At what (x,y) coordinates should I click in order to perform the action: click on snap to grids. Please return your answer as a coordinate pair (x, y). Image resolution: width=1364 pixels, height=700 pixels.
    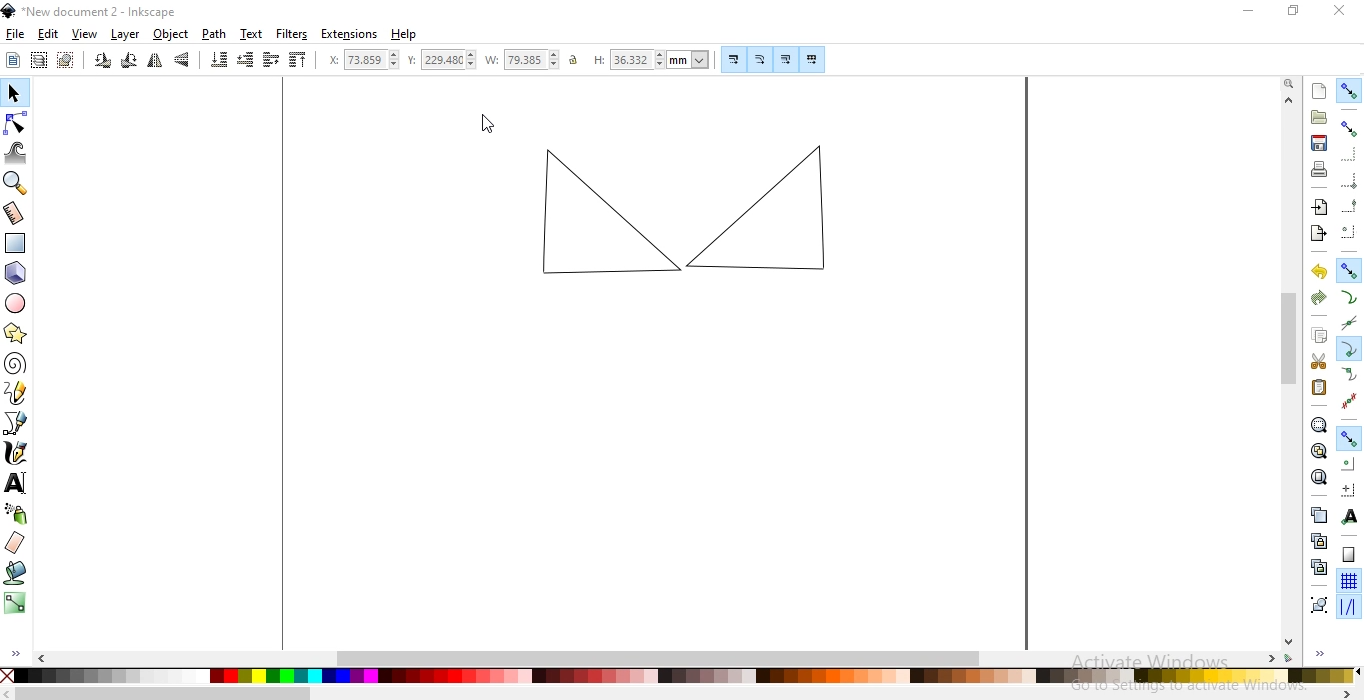
    Looking at the image, I should click on (1348, 581).